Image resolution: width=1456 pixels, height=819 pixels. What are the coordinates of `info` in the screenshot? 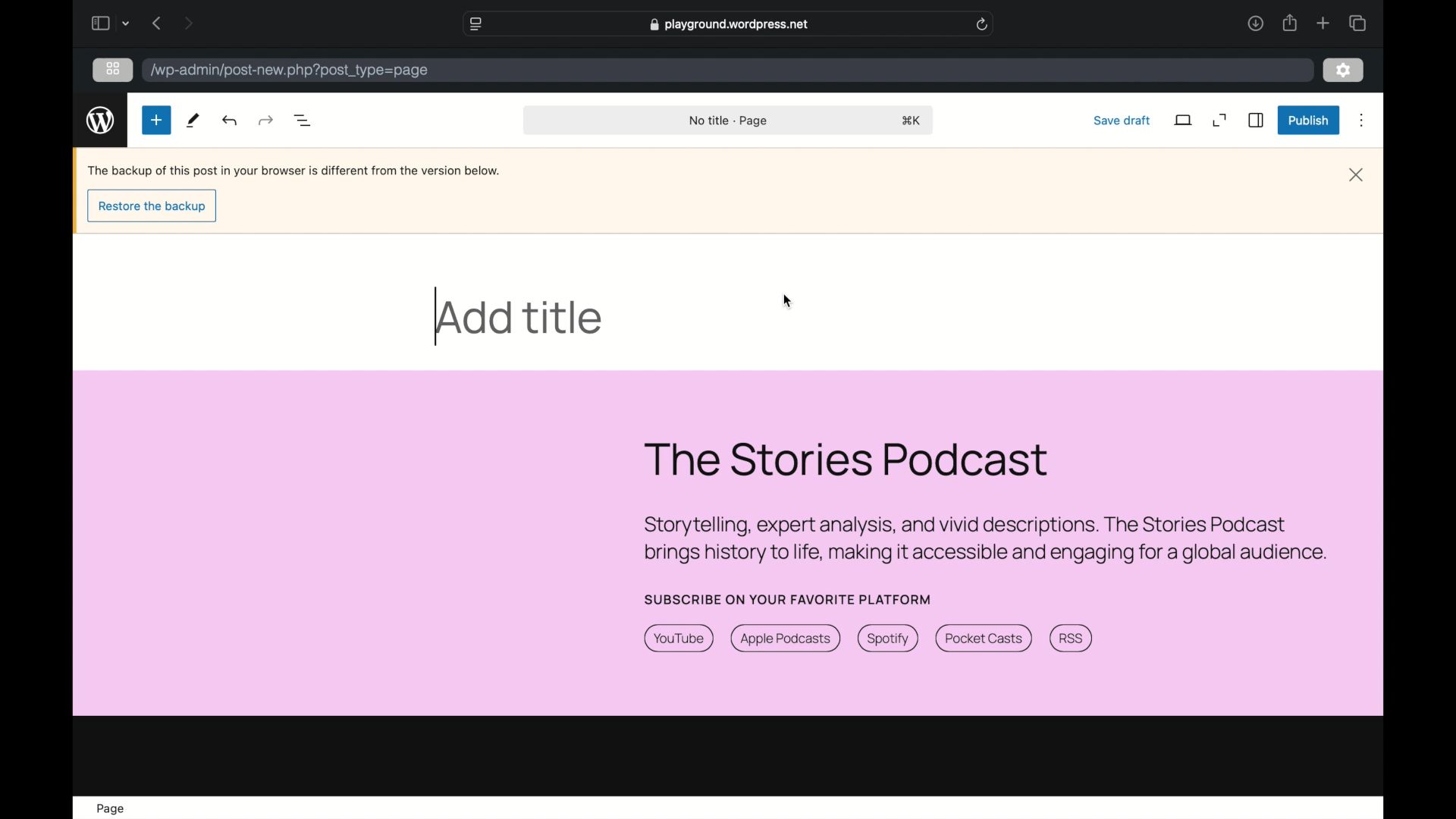 It's located at (294, 171).